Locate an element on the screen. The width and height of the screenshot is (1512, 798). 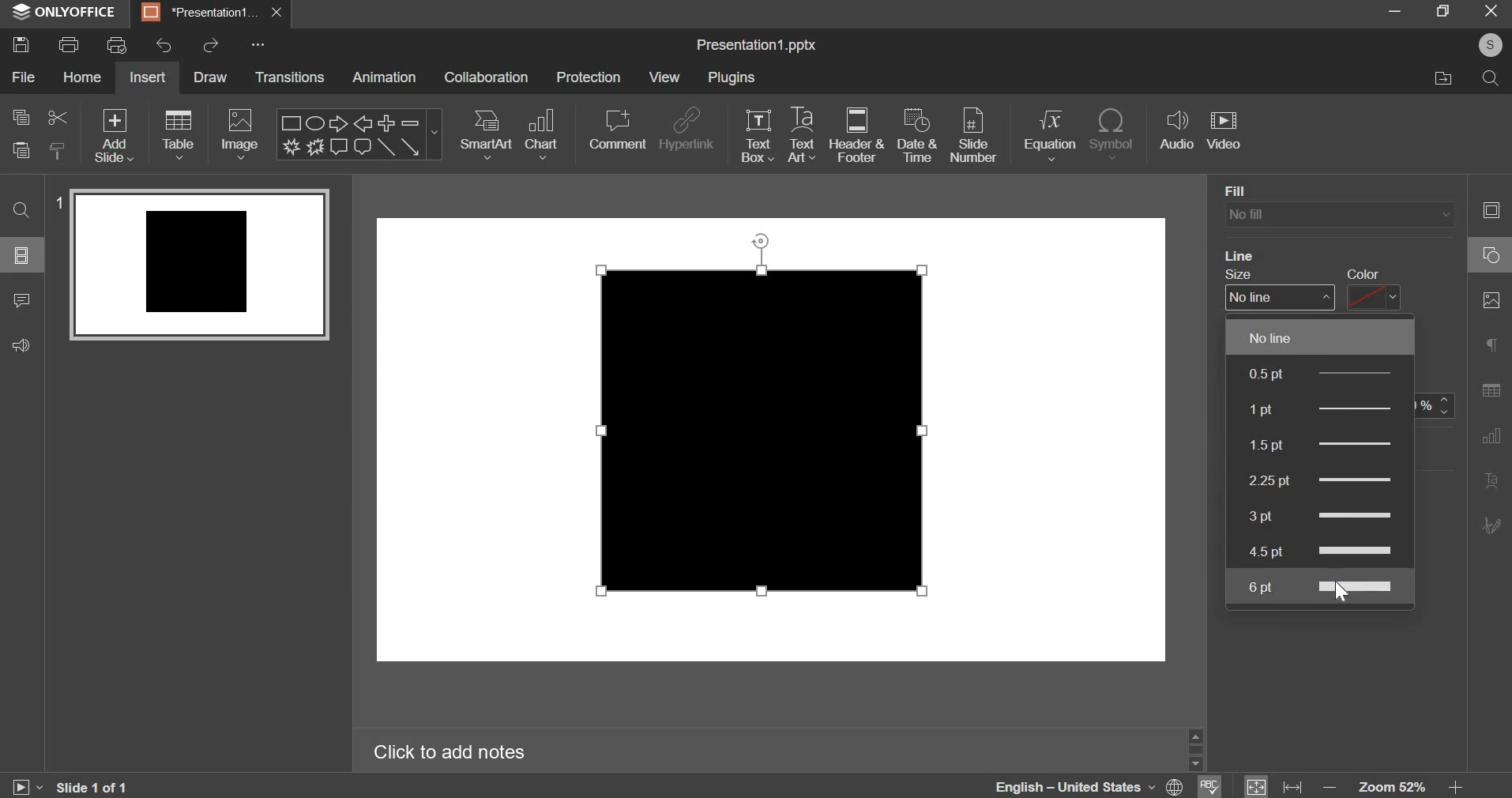
Chat is located at coordinates (363, 148).